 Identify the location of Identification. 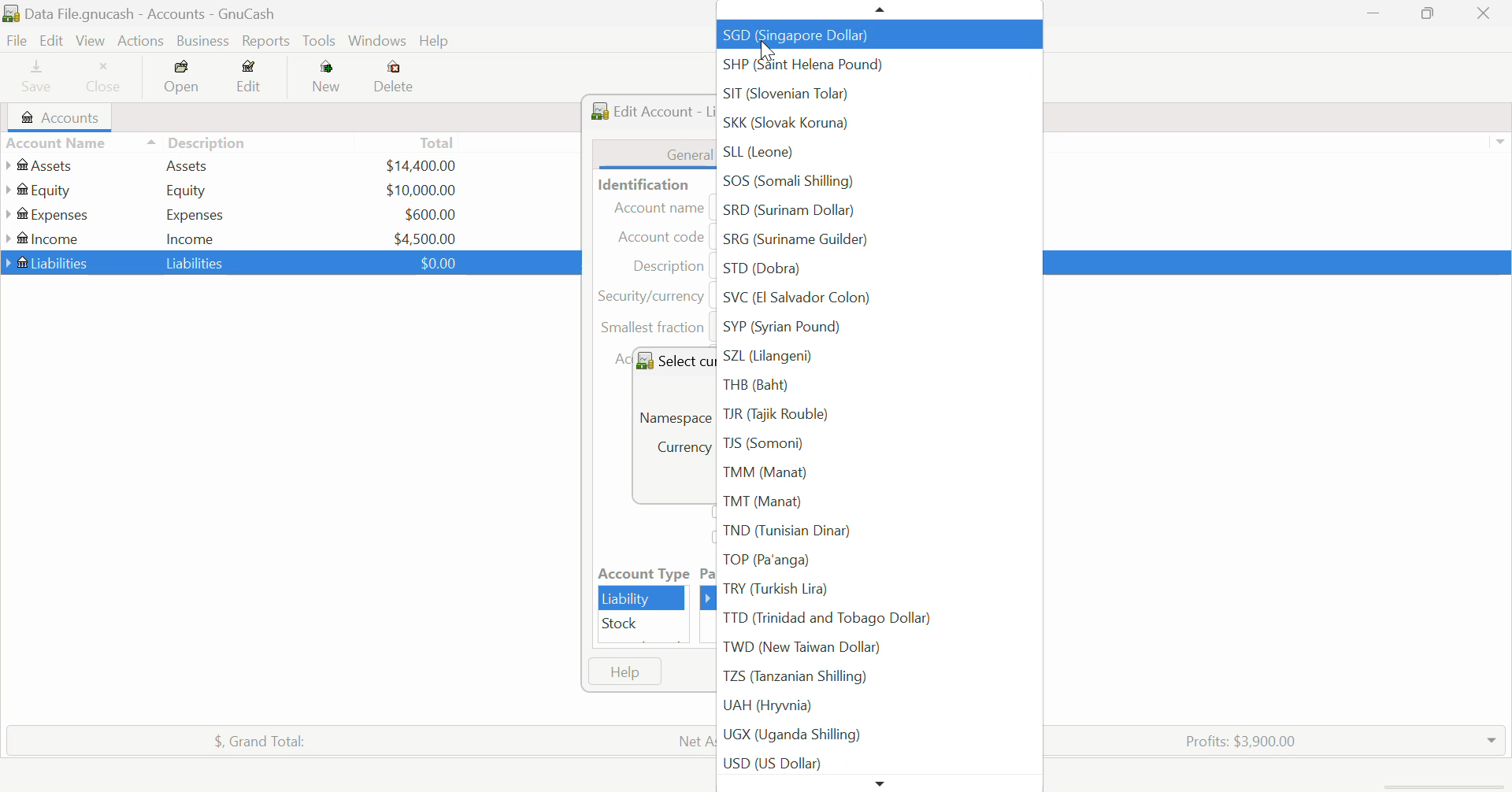
(640, 184).